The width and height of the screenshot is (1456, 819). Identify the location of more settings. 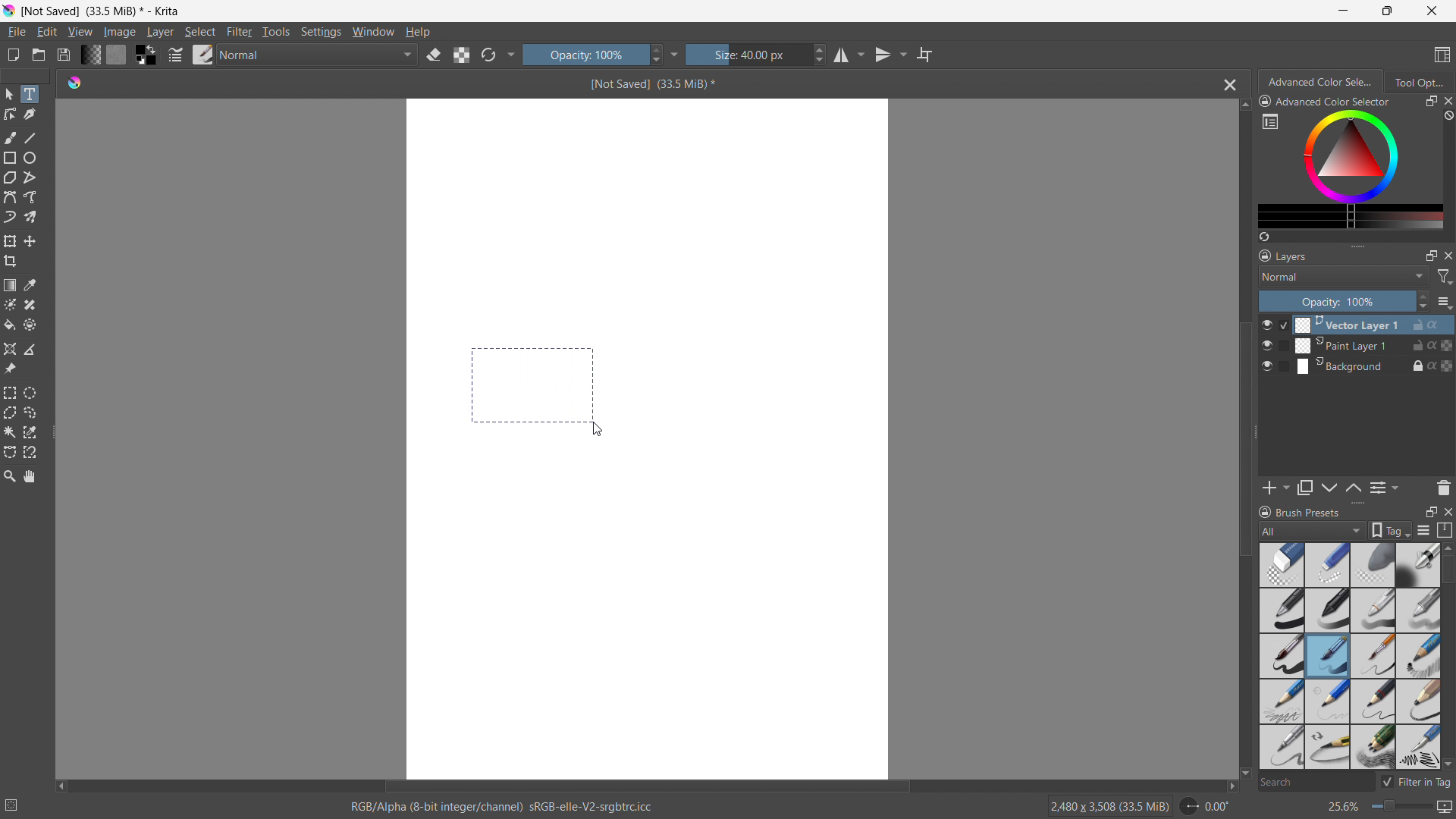
(512, 53).